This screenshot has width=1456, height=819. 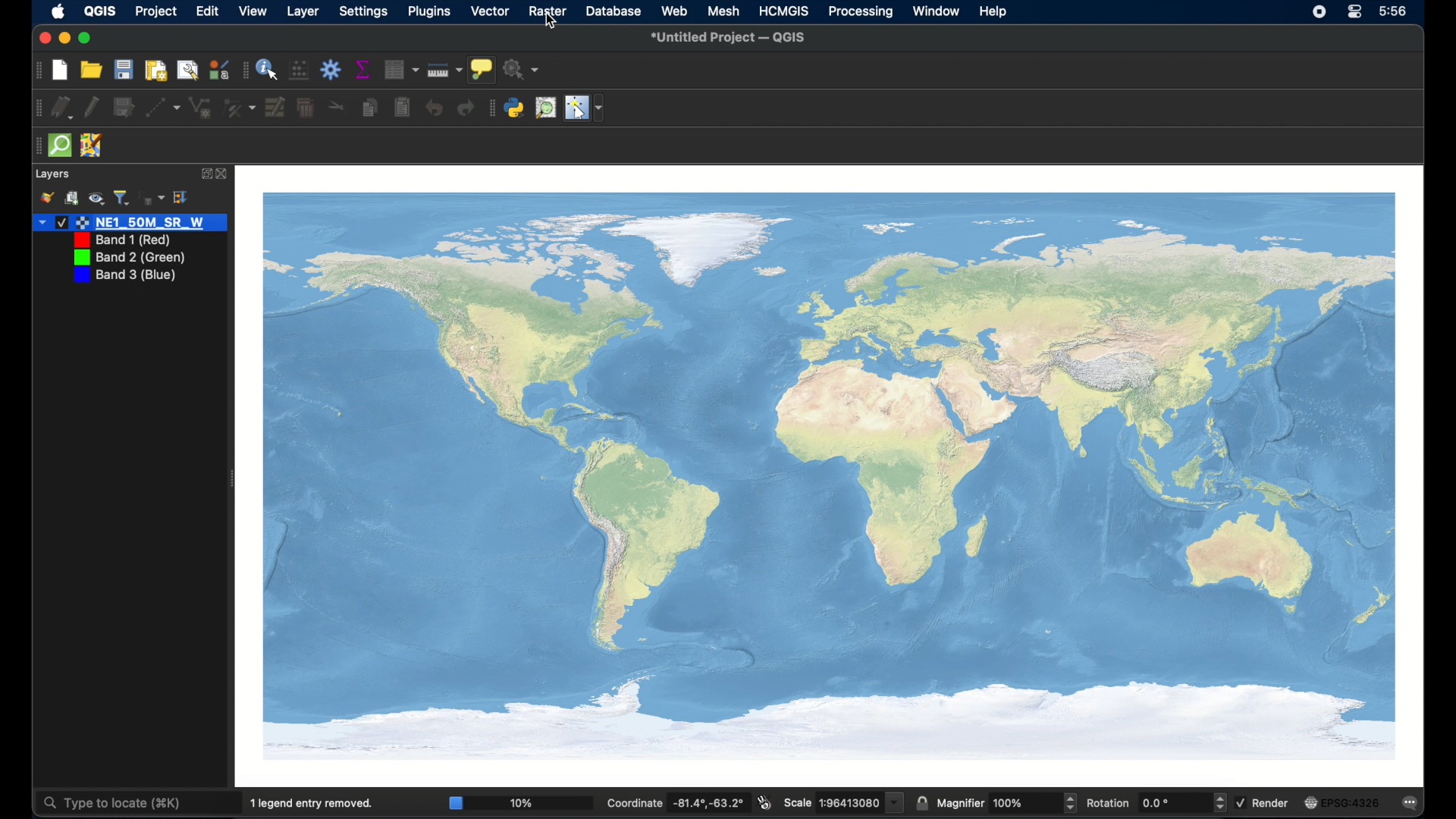 I want to click on expand , so click(x=205, y=174).